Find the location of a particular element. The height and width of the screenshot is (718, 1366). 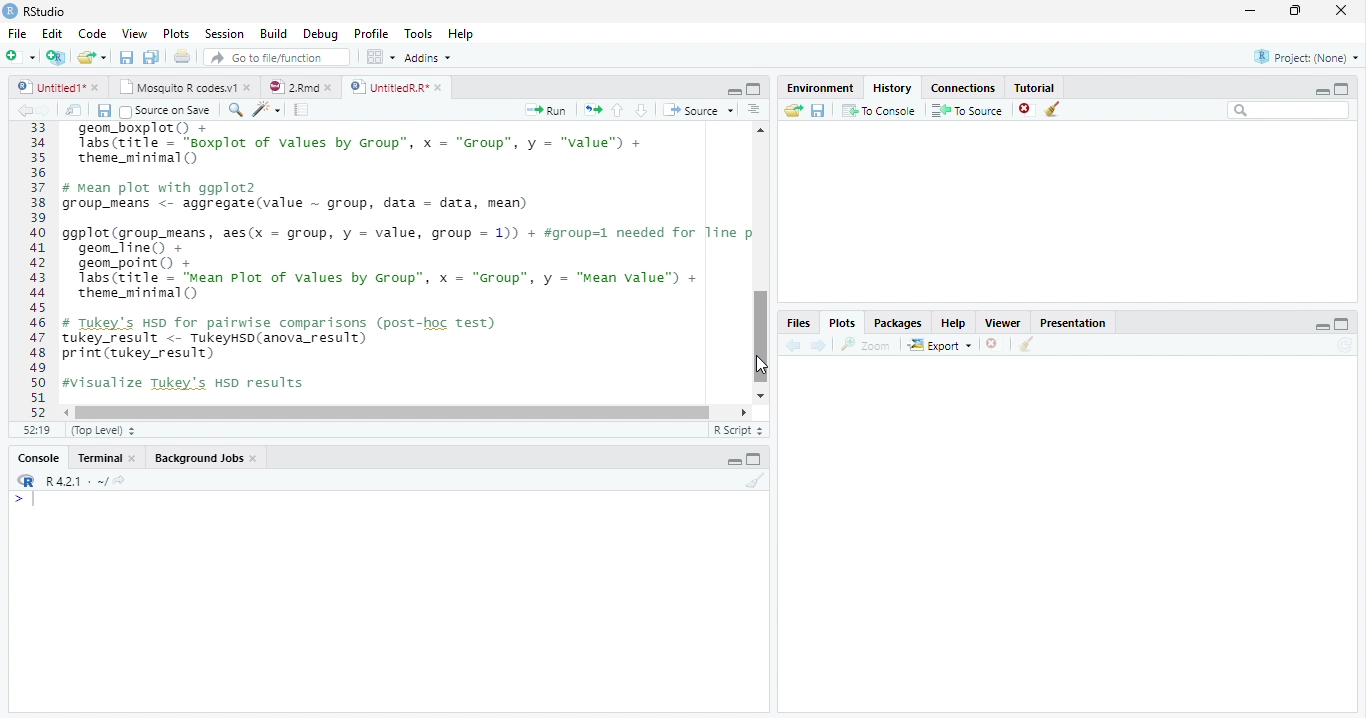

Maximize is located at coordinates (754, 90).